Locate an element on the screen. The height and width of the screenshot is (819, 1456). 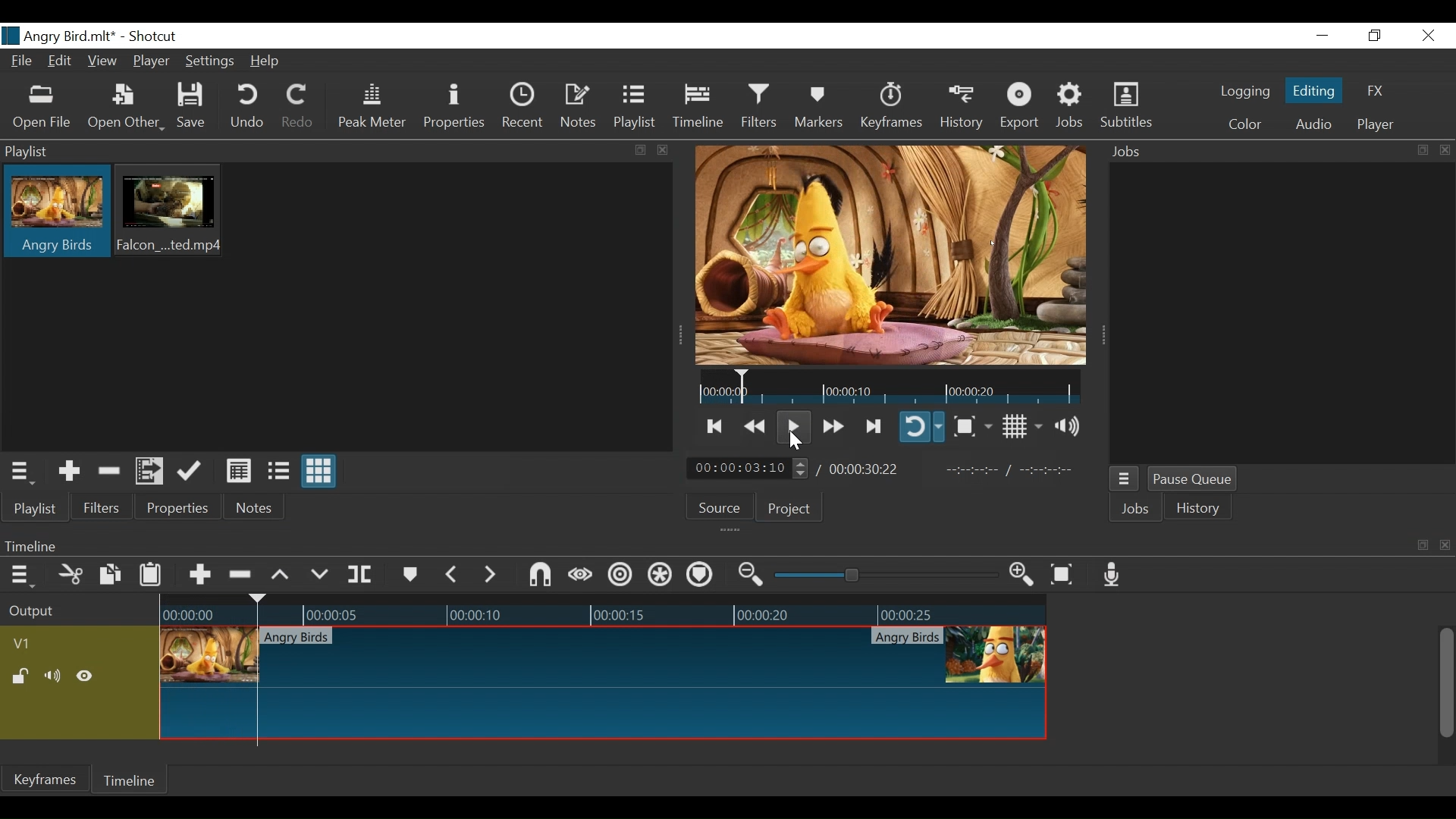
Open File is located at coordinates (45, 106).